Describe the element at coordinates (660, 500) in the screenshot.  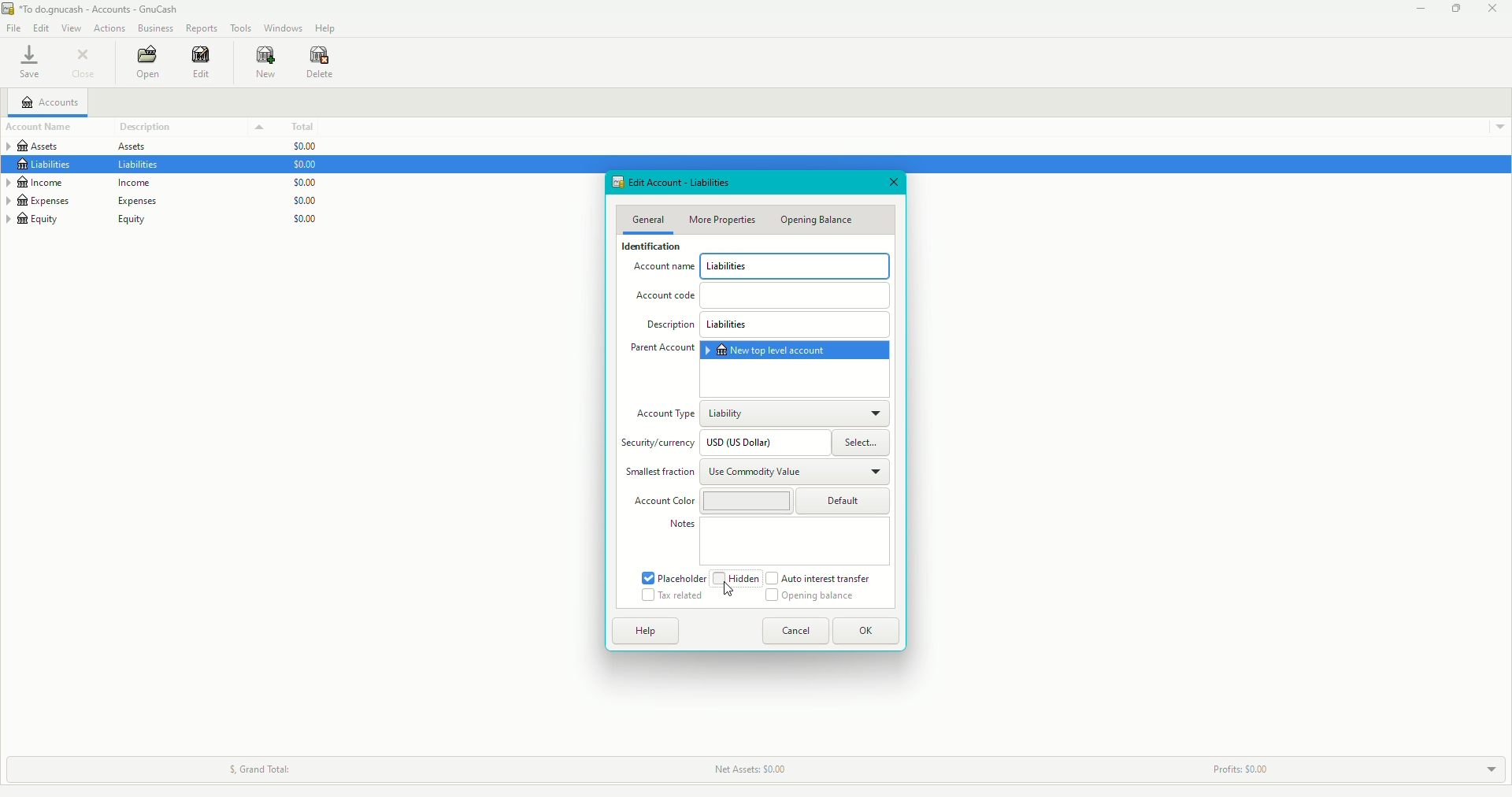
I see `Account Color` at that location.